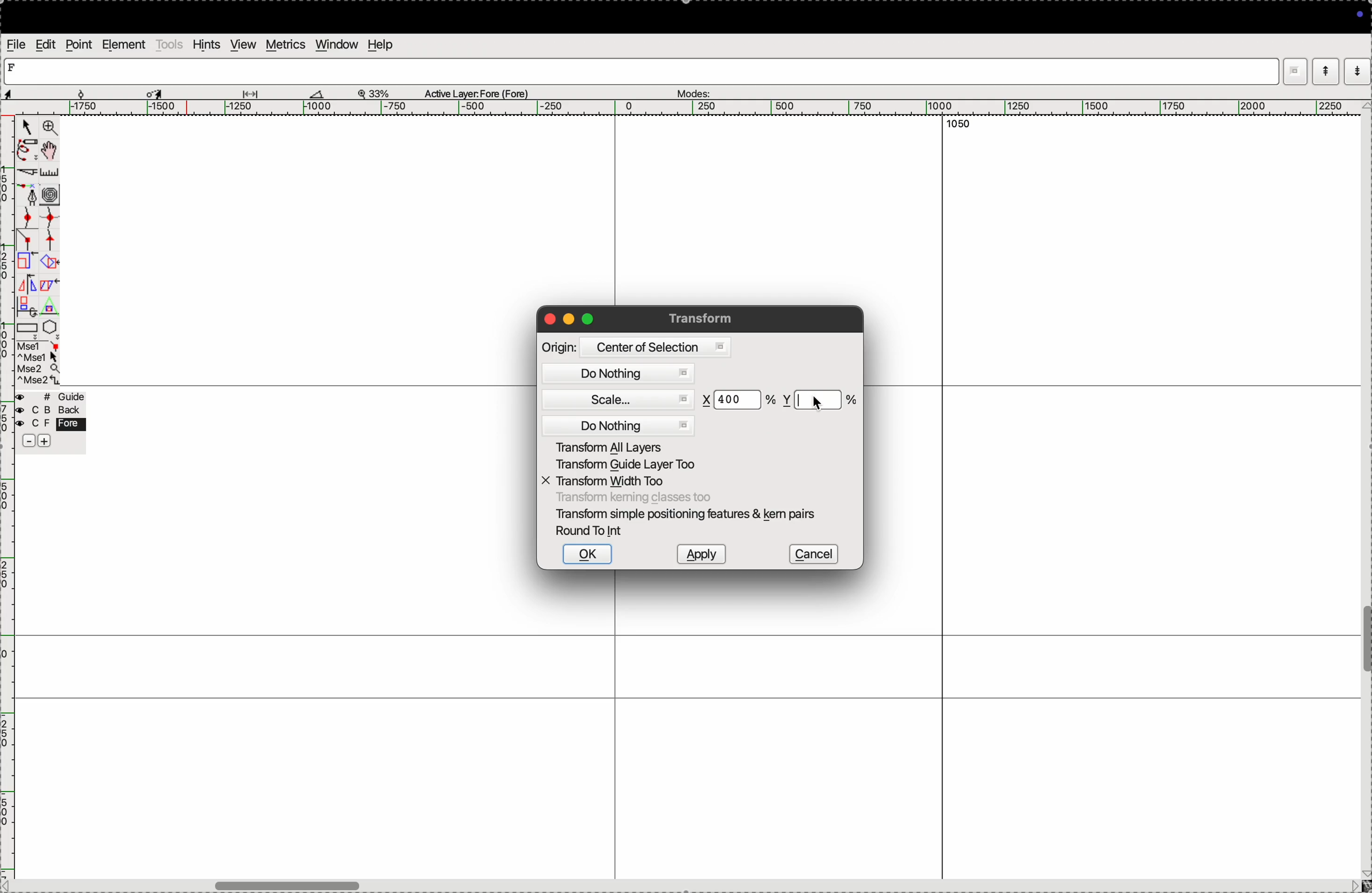 The width and height of the screenshot is (1372, 893). Describe the element at coordinates (570, 320) in the screenshot. I see `minimize` at that location.